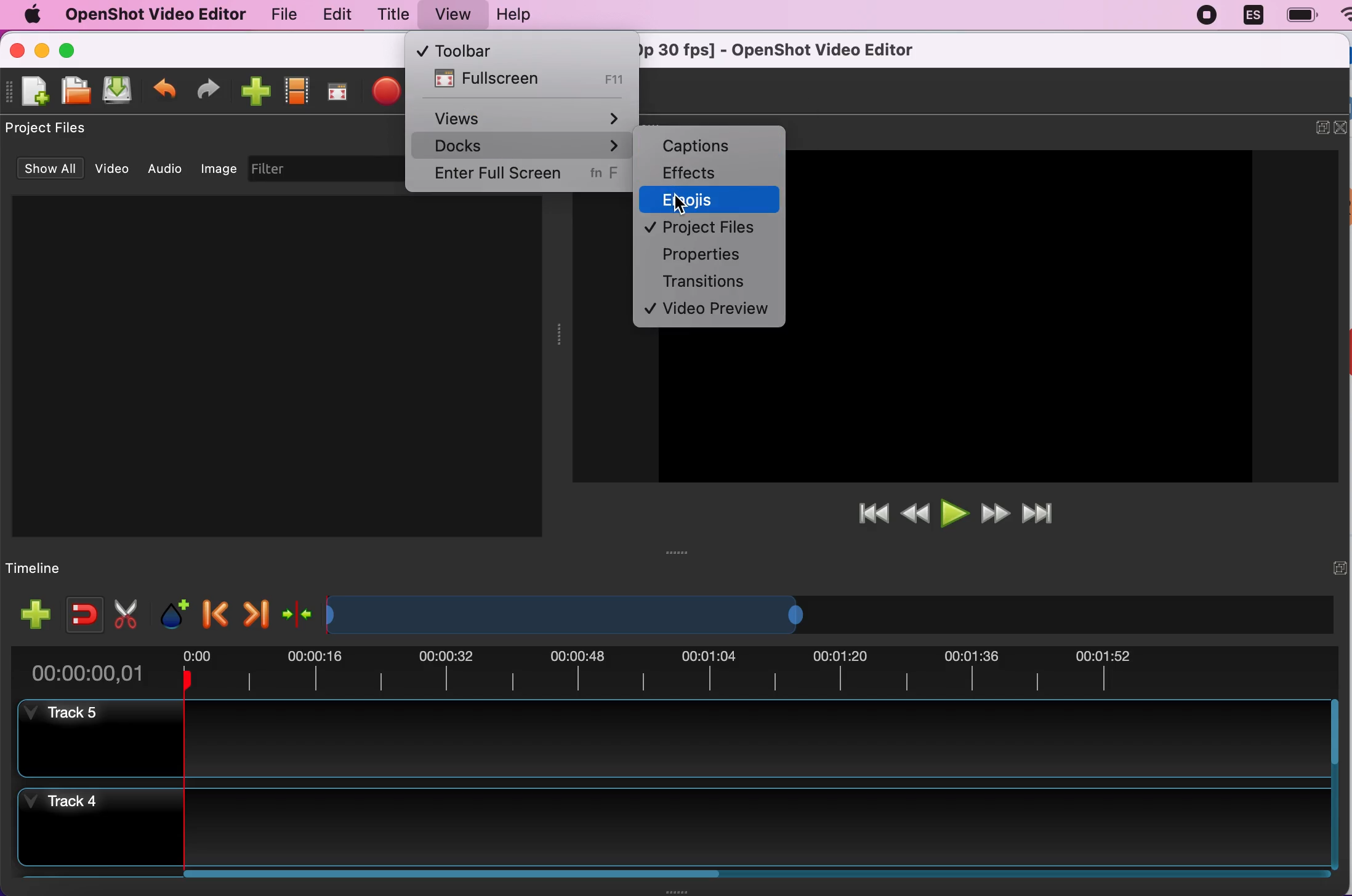 This screenshot has width=1352, height=896. I want to click on Project files preview space, so click(276, 366).